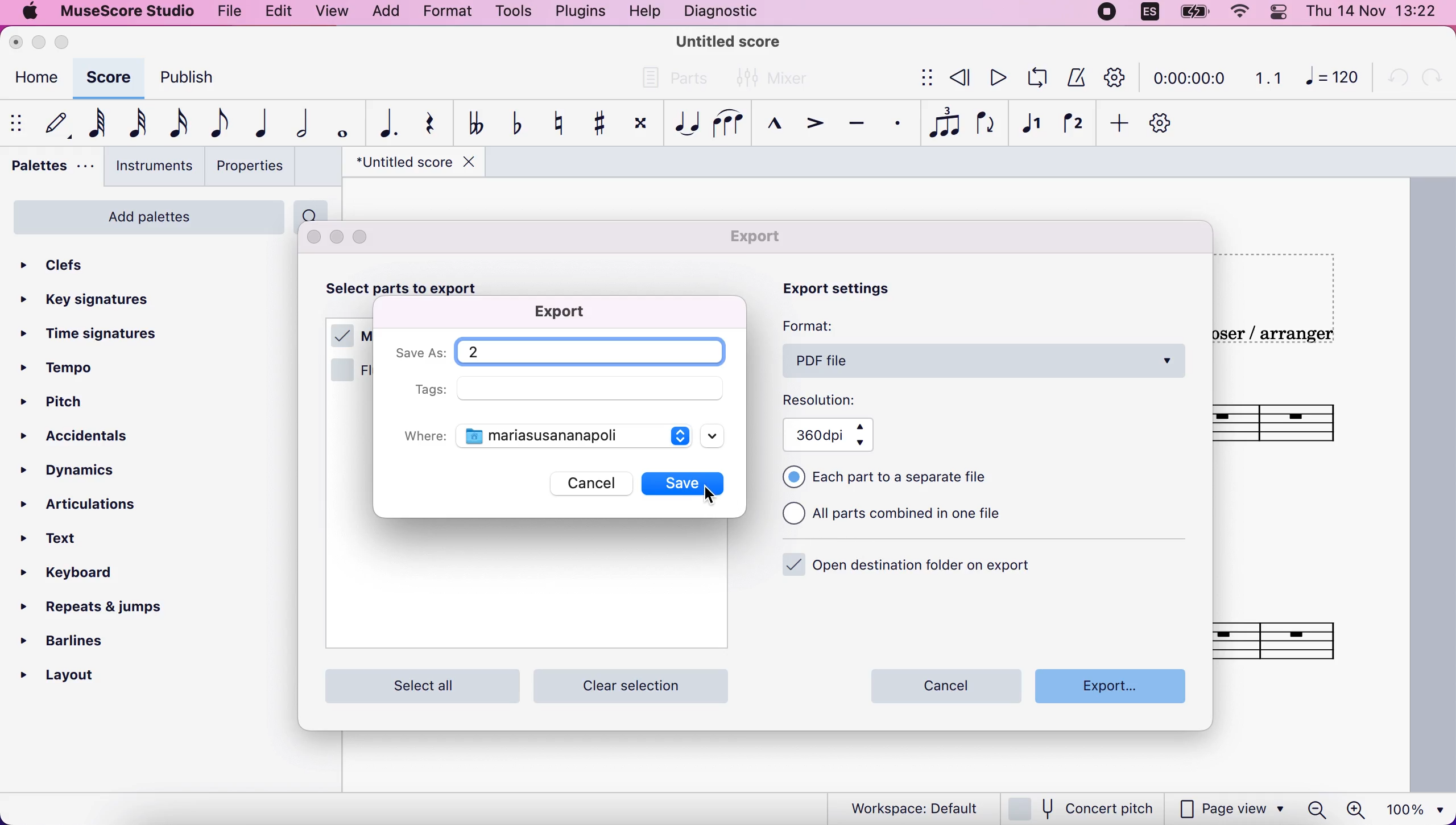  What do you see at coordinates (84, 398) in the screenshot?
I see `pitch` at bounding box center [84, 398].